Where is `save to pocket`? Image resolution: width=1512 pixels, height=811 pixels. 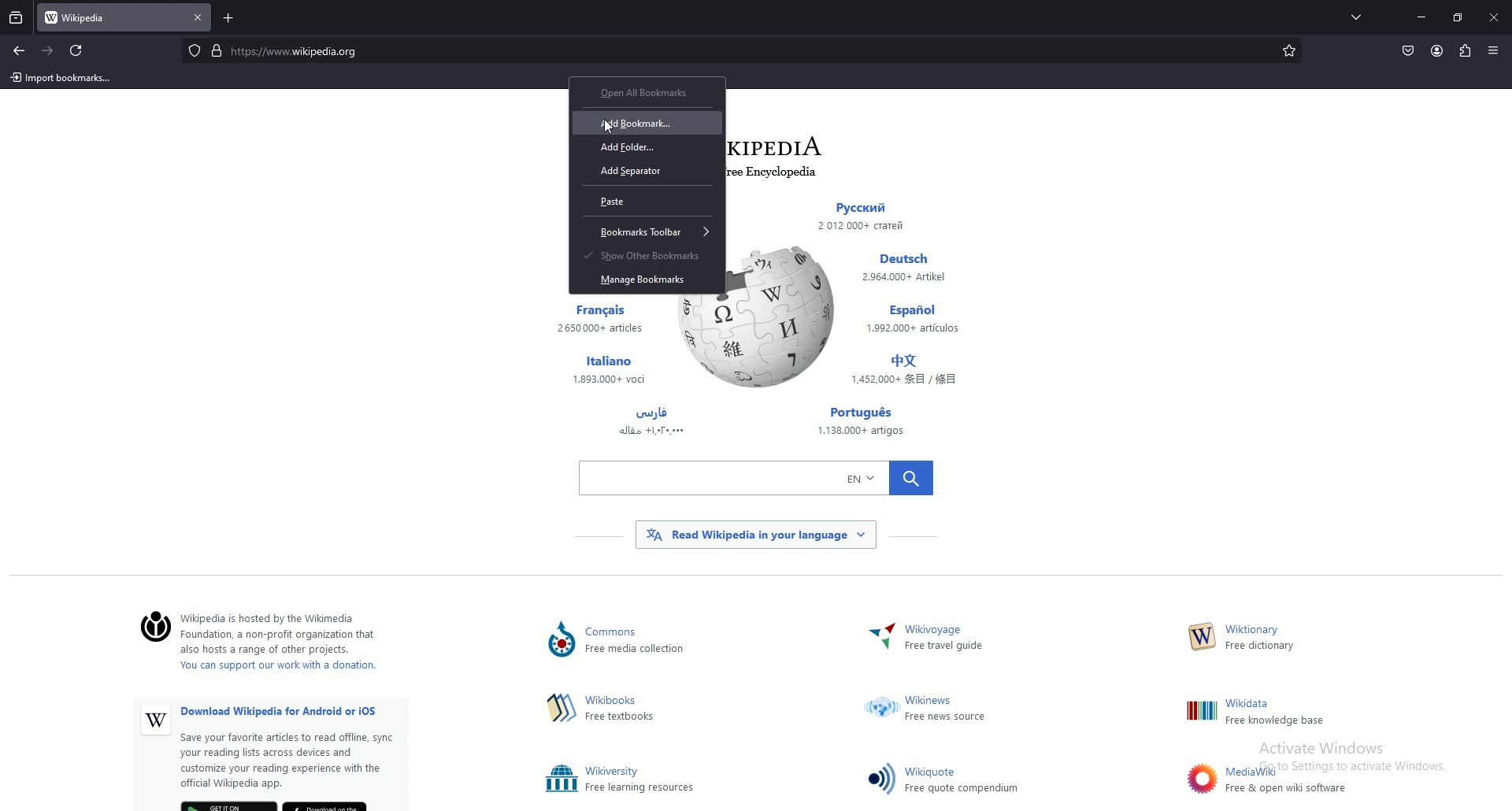
save to pocket is located at coordinates (1407, 50).